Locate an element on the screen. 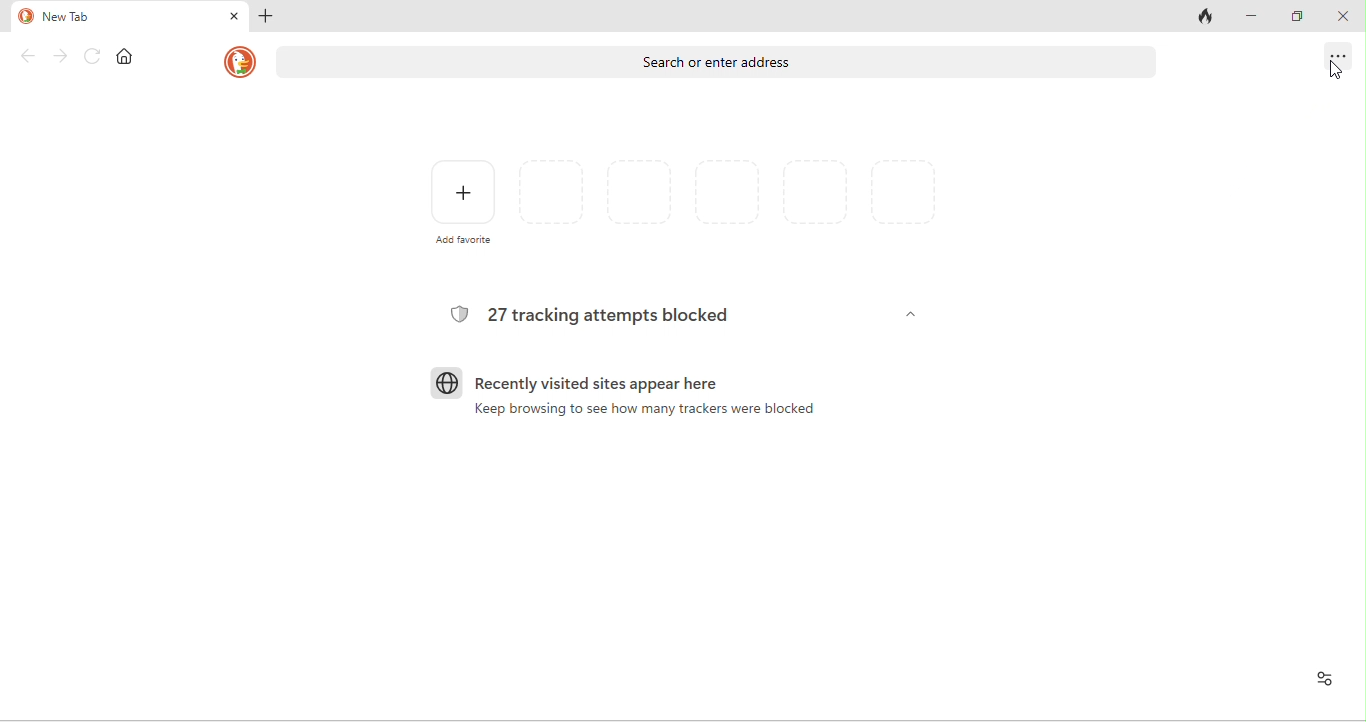 This screenshot has height=722, width=1366. close tab and clear data is located at coordinates (1206, 16).